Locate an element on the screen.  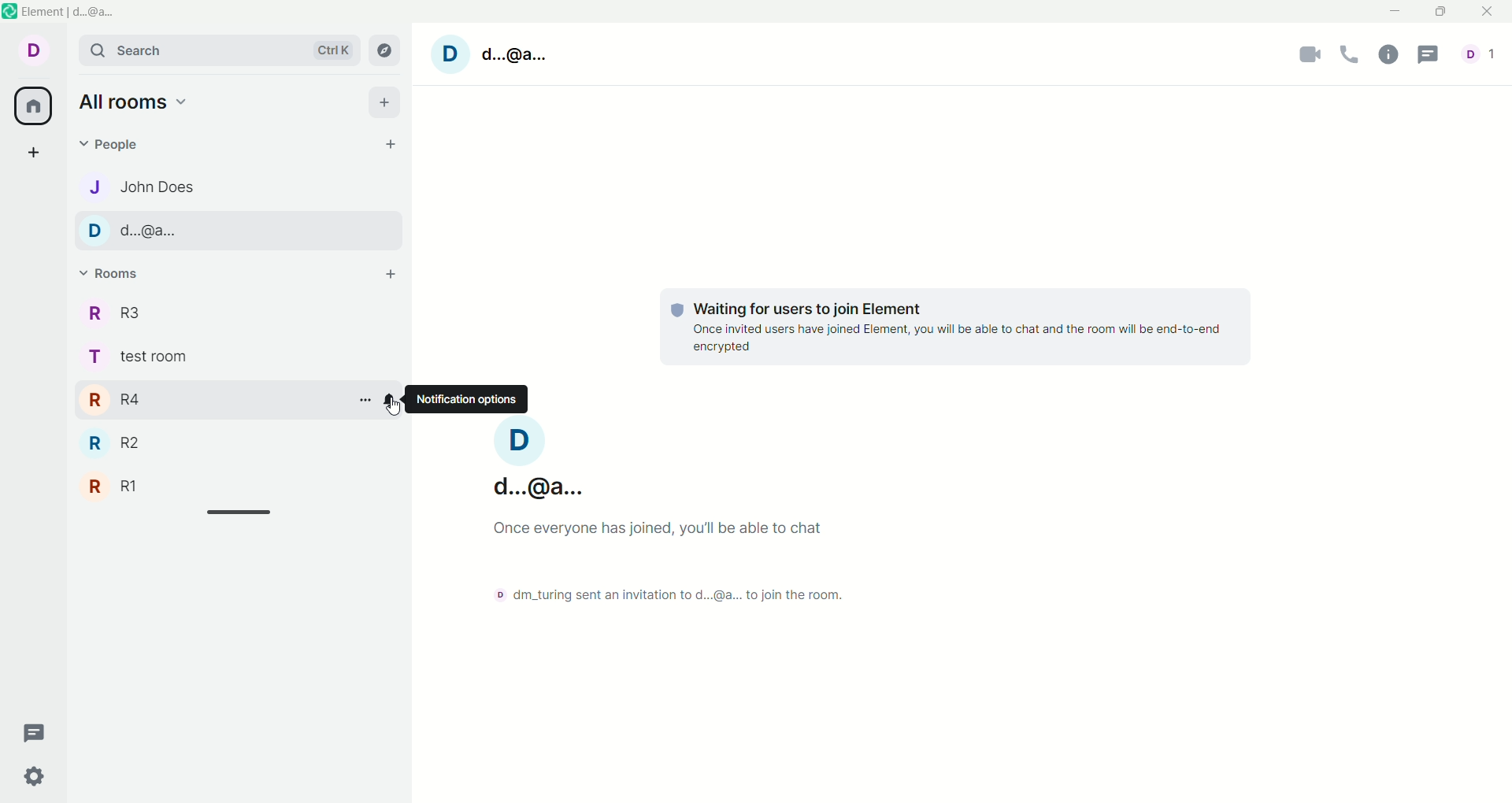
Once invited users have joined Element, you will be able to chat and the room will be end-to-end encrypted is located at coordinates (956, 339).